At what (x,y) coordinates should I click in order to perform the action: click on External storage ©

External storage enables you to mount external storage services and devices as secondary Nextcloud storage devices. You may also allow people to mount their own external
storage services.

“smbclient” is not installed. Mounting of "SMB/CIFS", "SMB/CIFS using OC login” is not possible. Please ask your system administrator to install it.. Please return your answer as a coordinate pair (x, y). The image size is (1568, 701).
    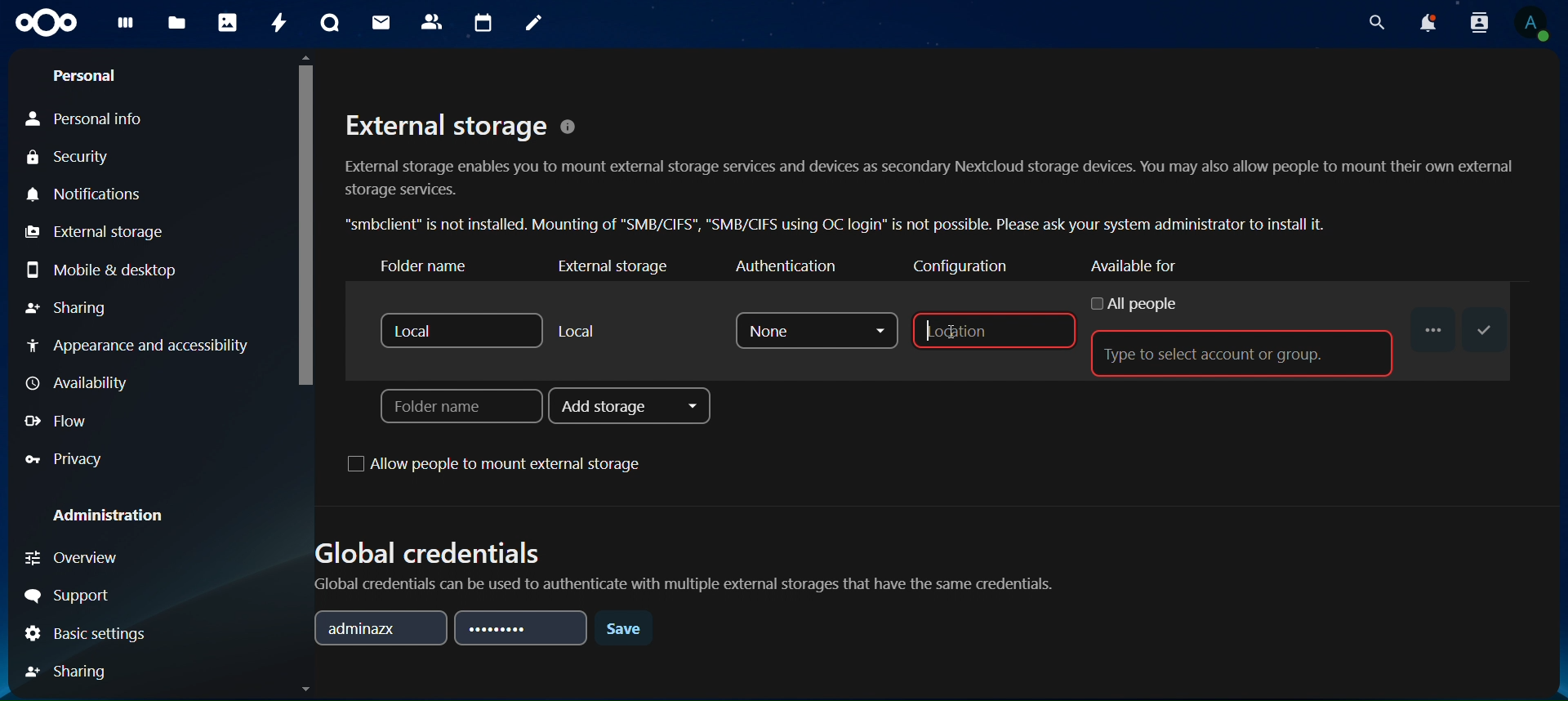
    Looking at the image, I should click on (929, 170).